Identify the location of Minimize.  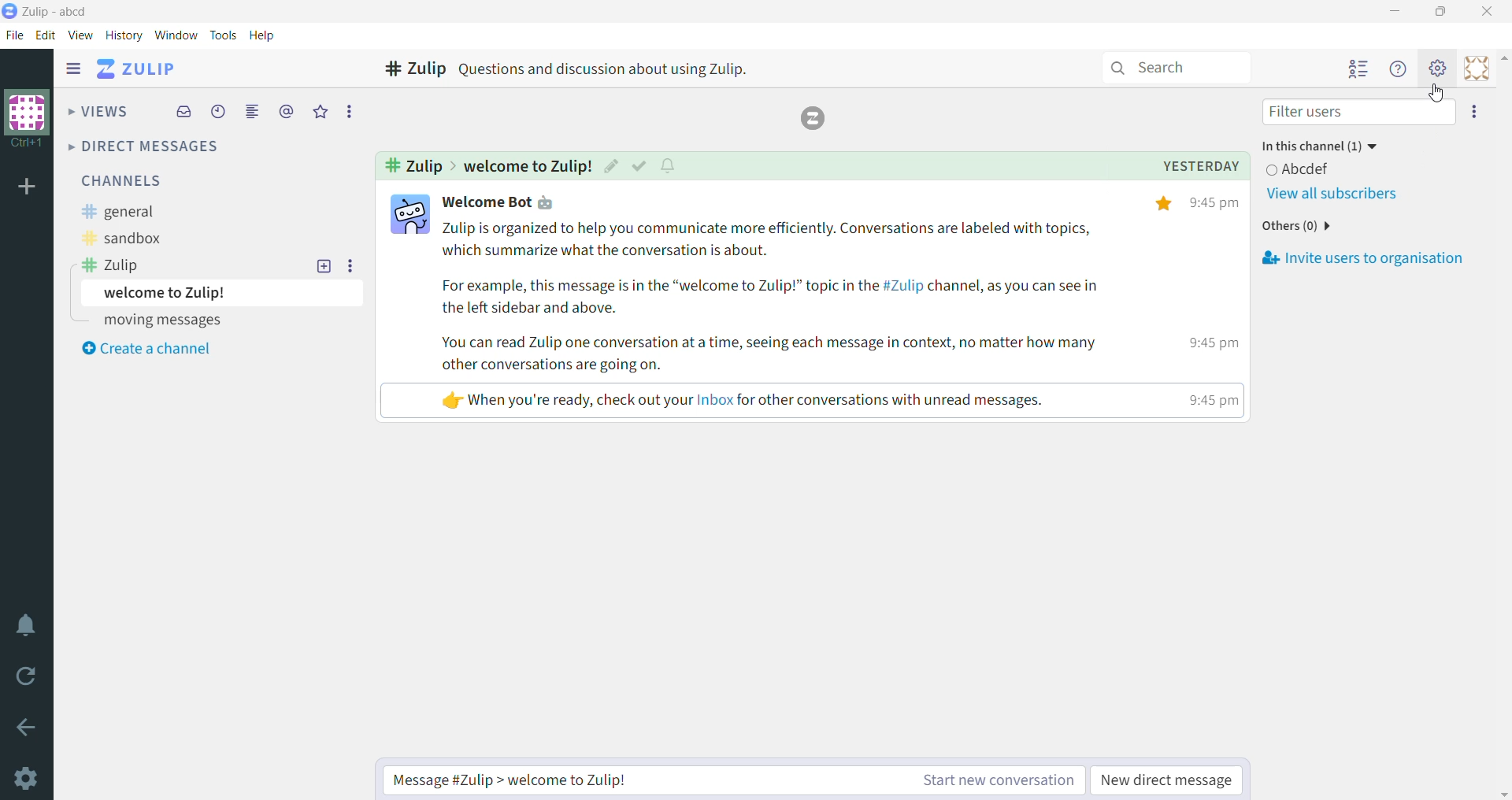
(1396, 11).